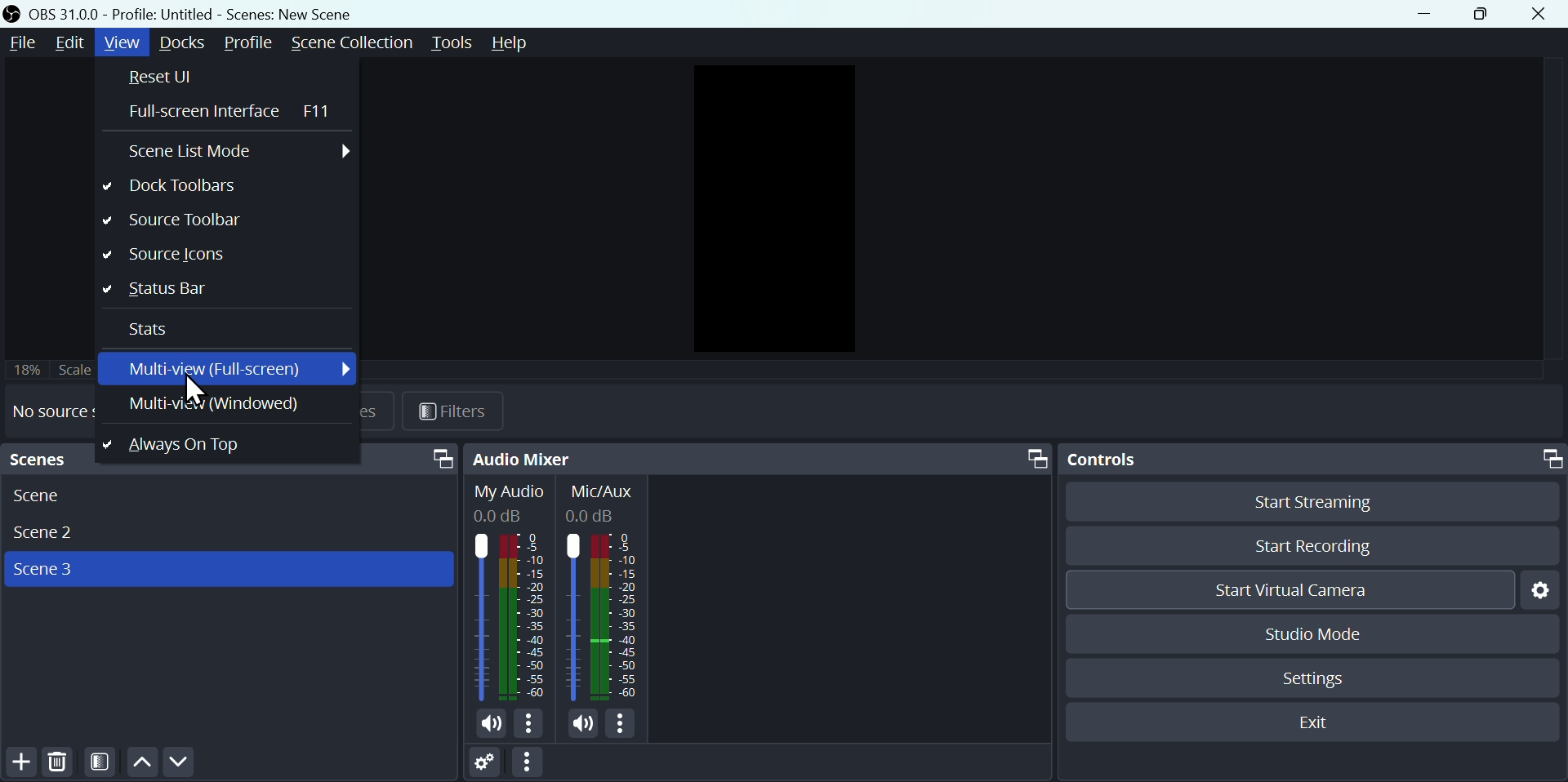  Describe the element at coordinates (229, 151) in the screenshot. I see `Screen list mode` at that location.